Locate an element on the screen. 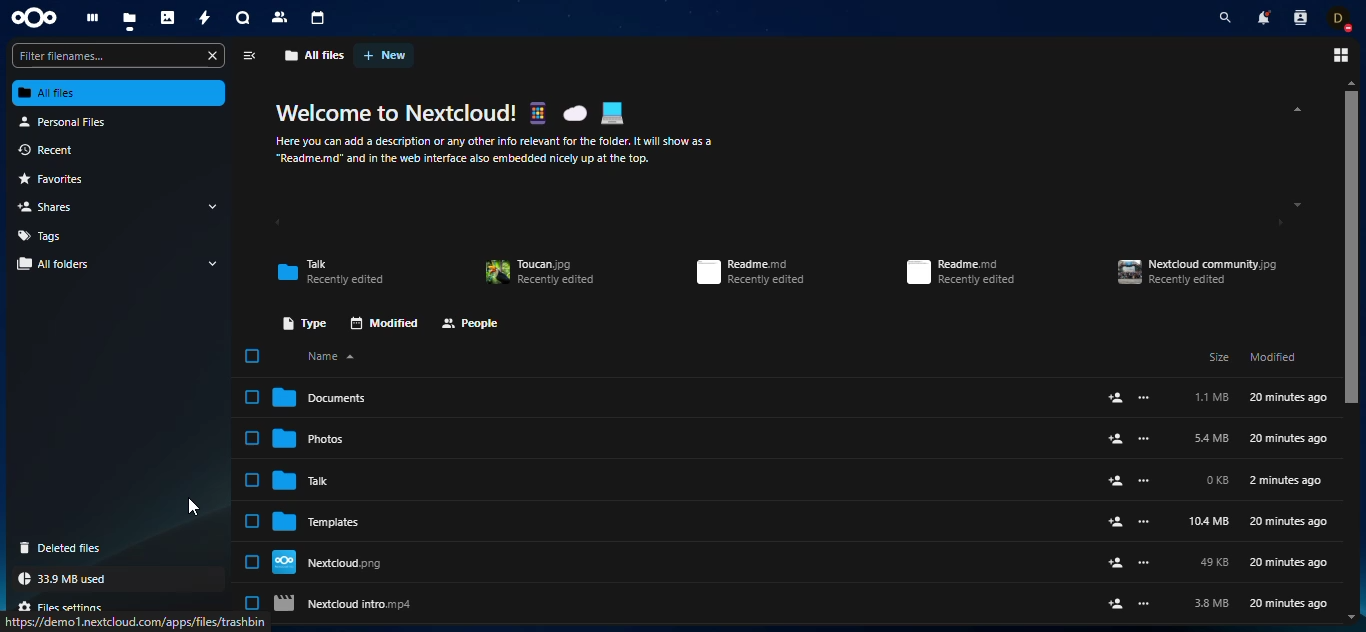  cursor is located at coordinates (187, 505).